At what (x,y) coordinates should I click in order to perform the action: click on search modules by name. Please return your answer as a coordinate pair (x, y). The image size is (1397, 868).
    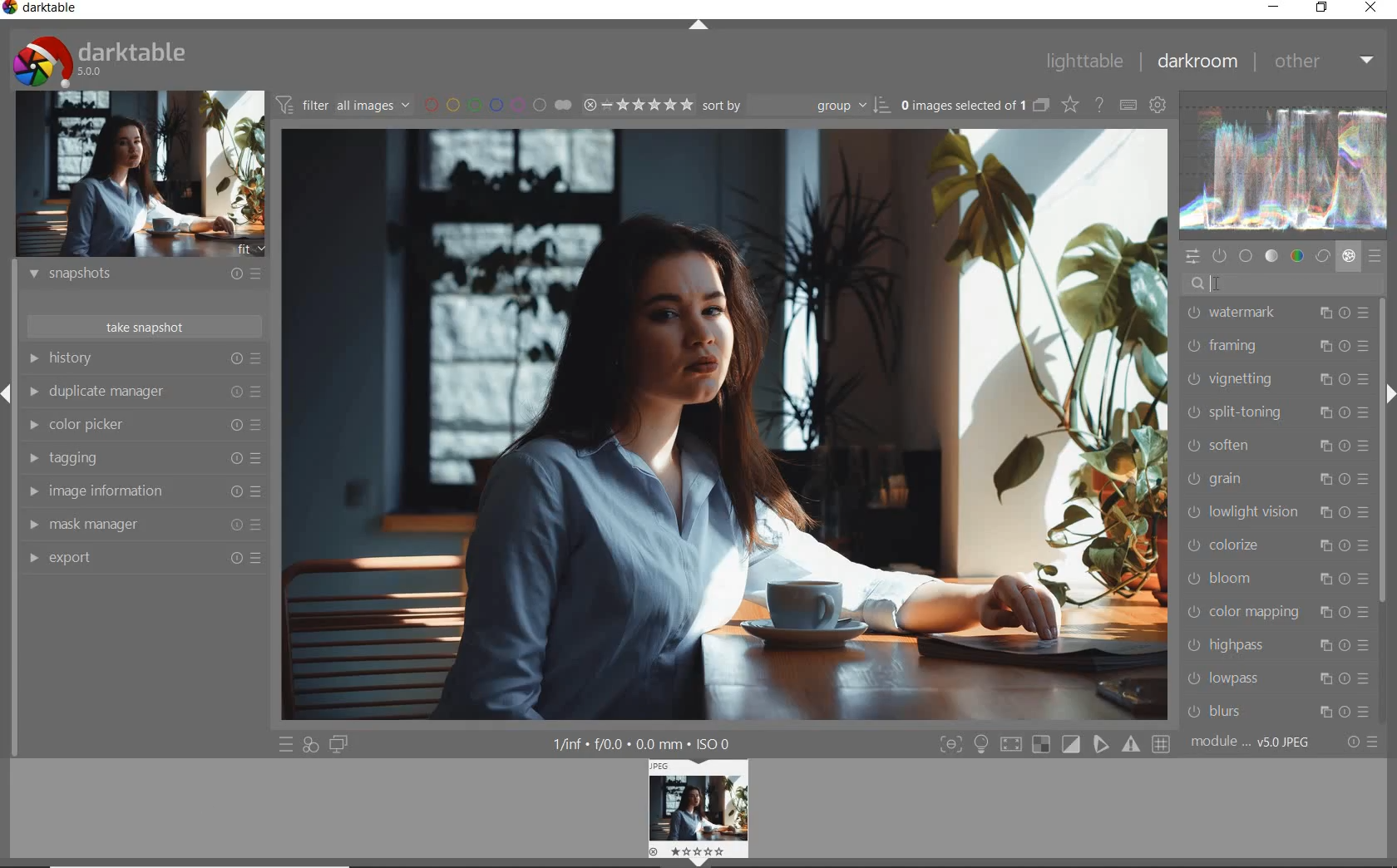
    Looking at the image, I should click on (1283, 282).